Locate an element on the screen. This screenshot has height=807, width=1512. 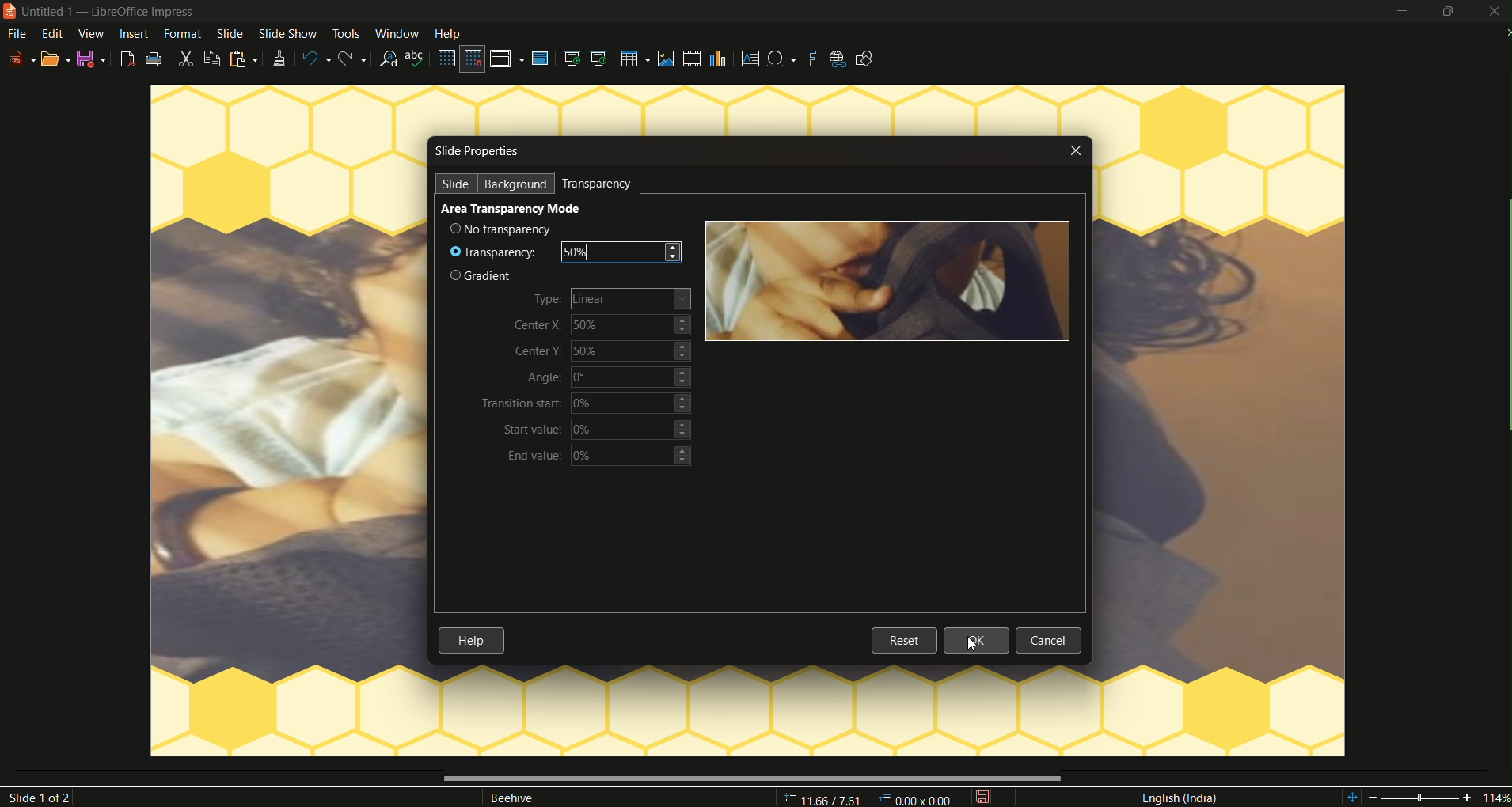
minimize/maximize is located at coordinates (1449, 12).